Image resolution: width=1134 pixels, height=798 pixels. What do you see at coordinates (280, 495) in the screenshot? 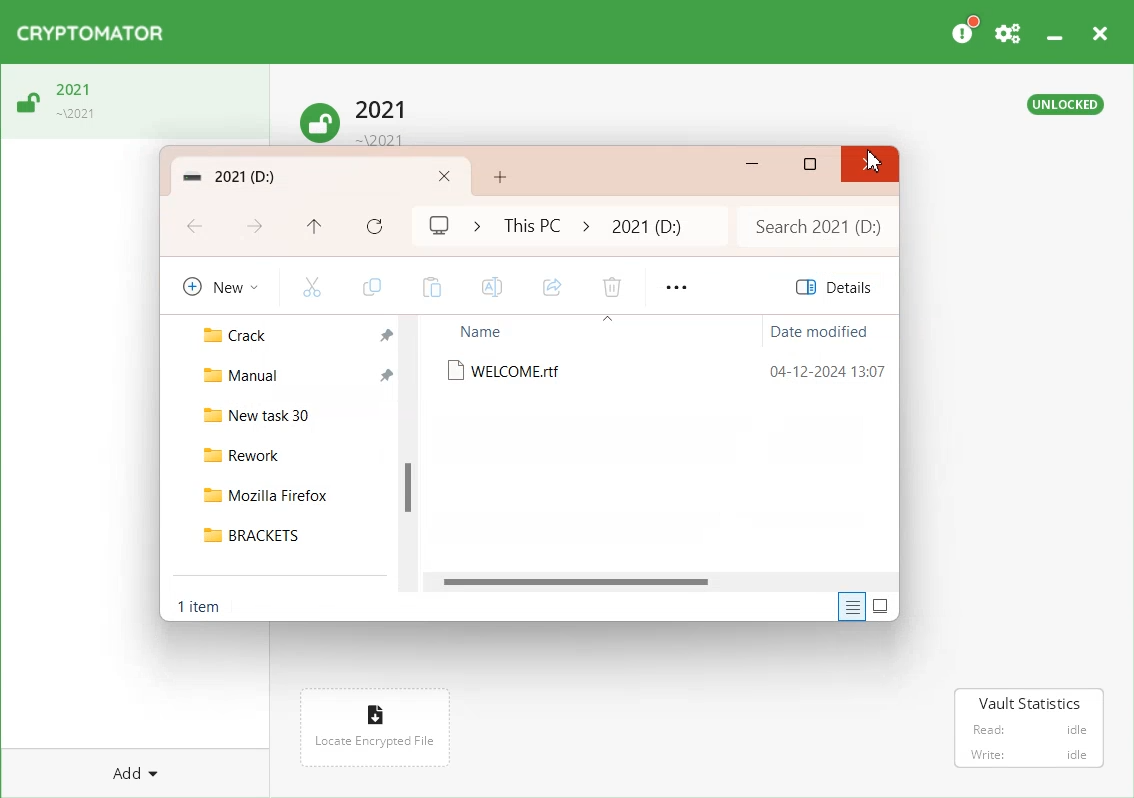
I see `Mozilla Firefox` at bounding box center [280, 495].